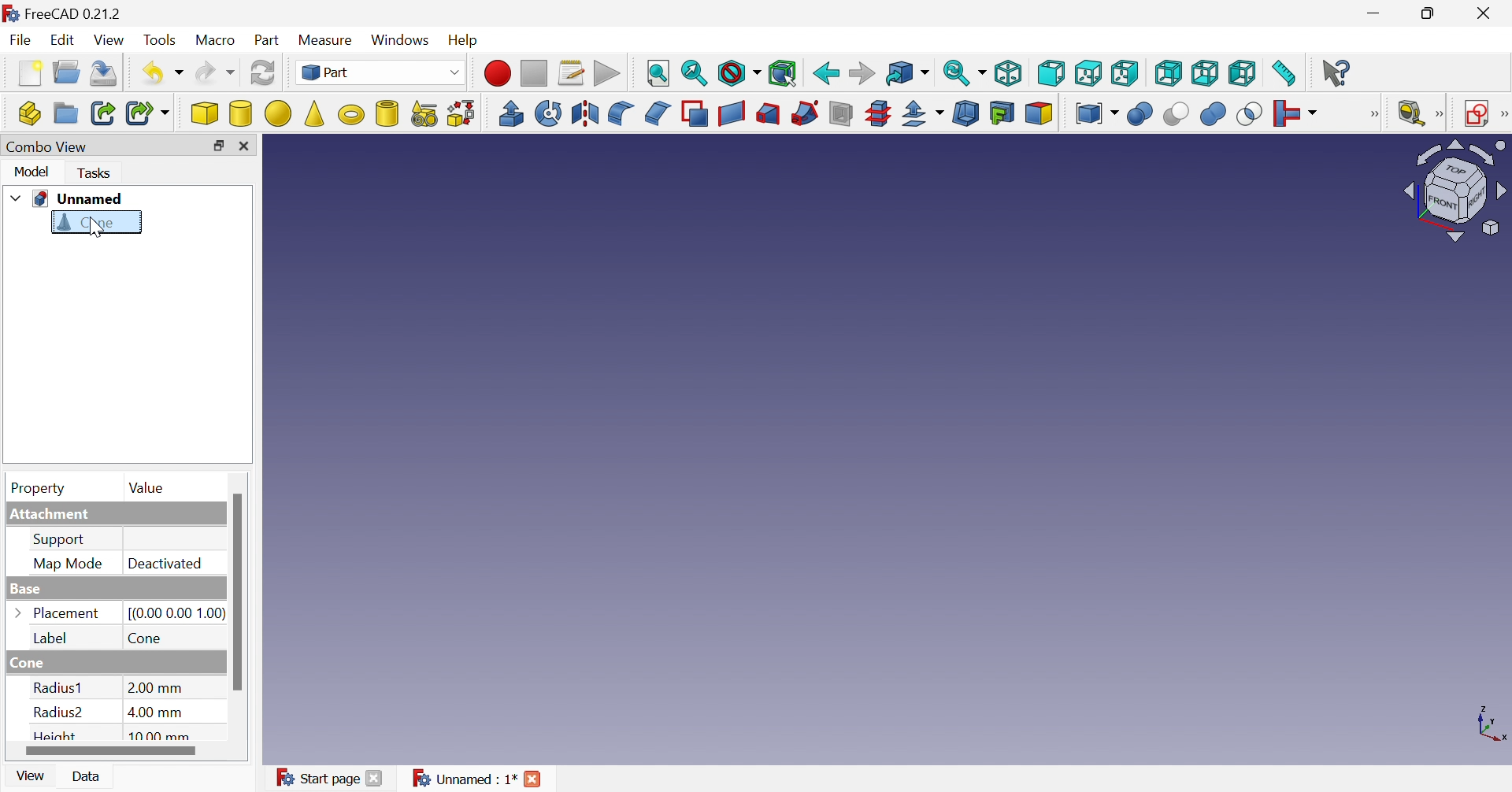  Describe the element at coordinates (1010, 72) in the screenshot. I see `Isometric` at that location.